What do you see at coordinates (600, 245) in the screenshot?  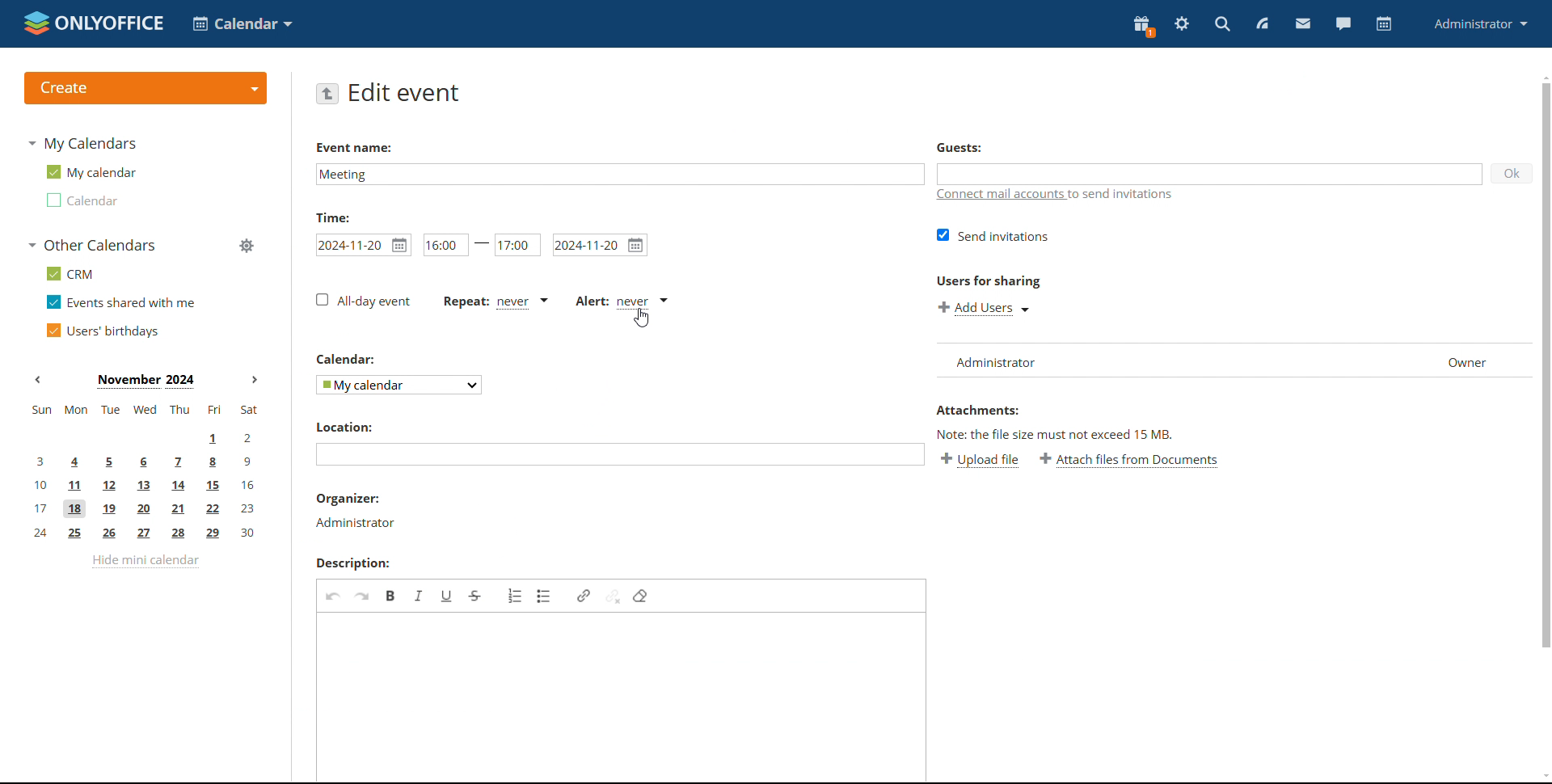 I see `end date` at bounding box center [600, 245].